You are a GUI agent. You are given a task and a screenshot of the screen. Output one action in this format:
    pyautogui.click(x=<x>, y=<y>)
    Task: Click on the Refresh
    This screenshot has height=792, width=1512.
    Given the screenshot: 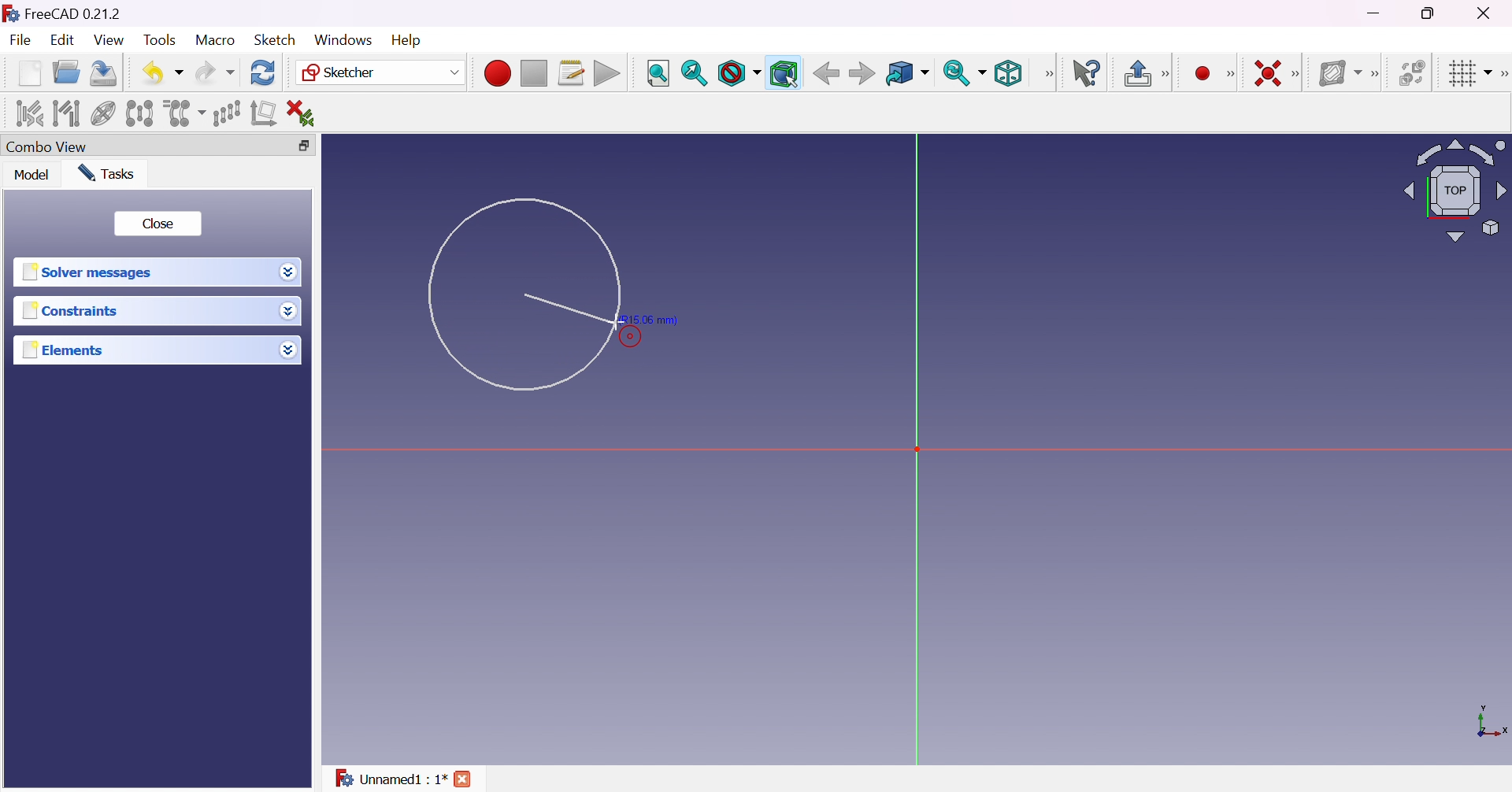 What is the action you would take?
    pyautogui.click(x=263, y=72)
    